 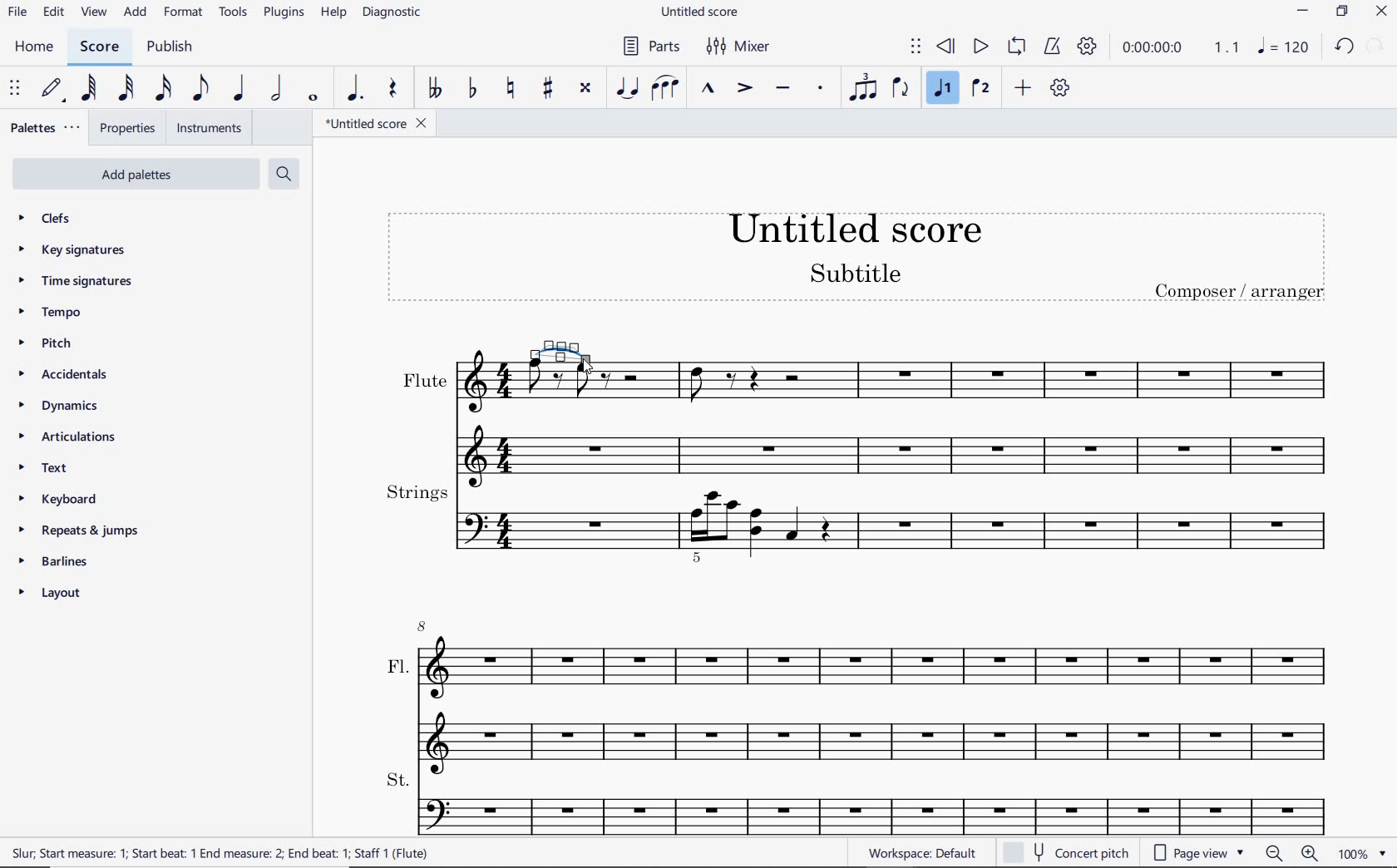 I want to click on STACCATO, so click(x=821, y=89).